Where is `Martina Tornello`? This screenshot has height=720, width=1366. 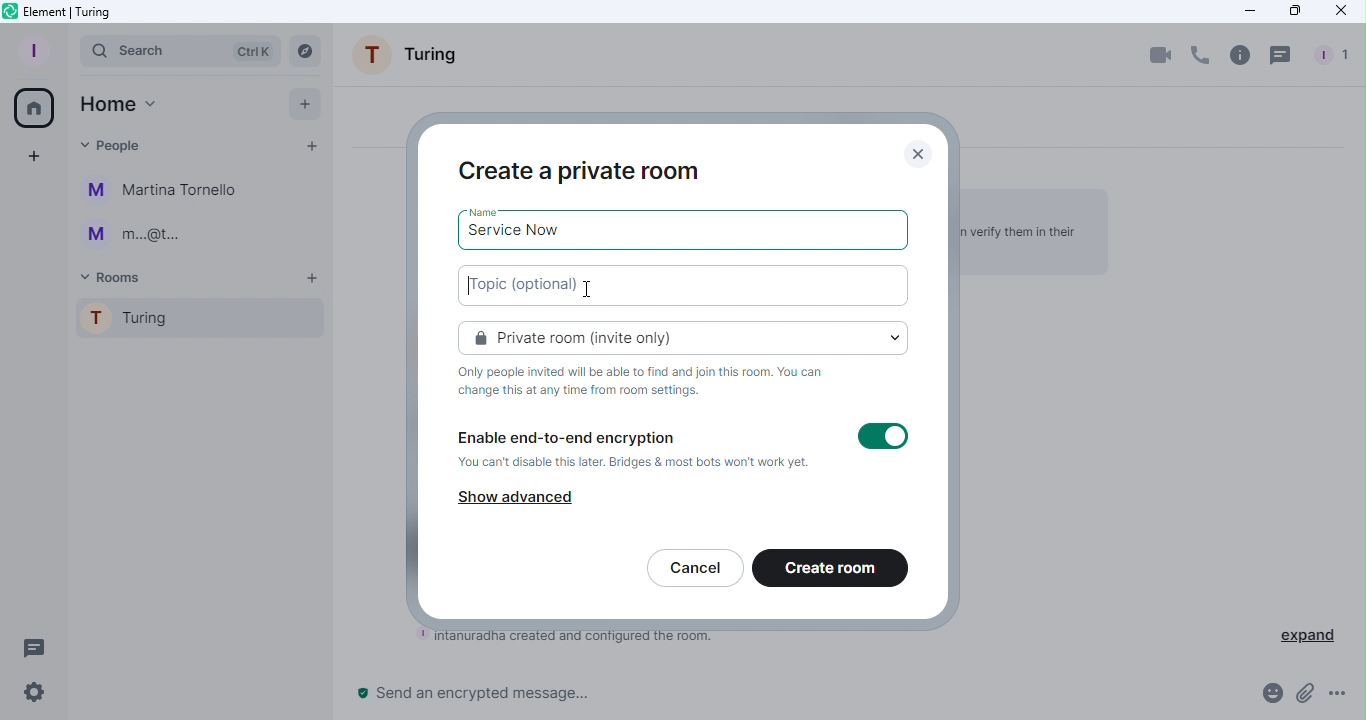
Martina Tornello is located at coordinates (165, 191).